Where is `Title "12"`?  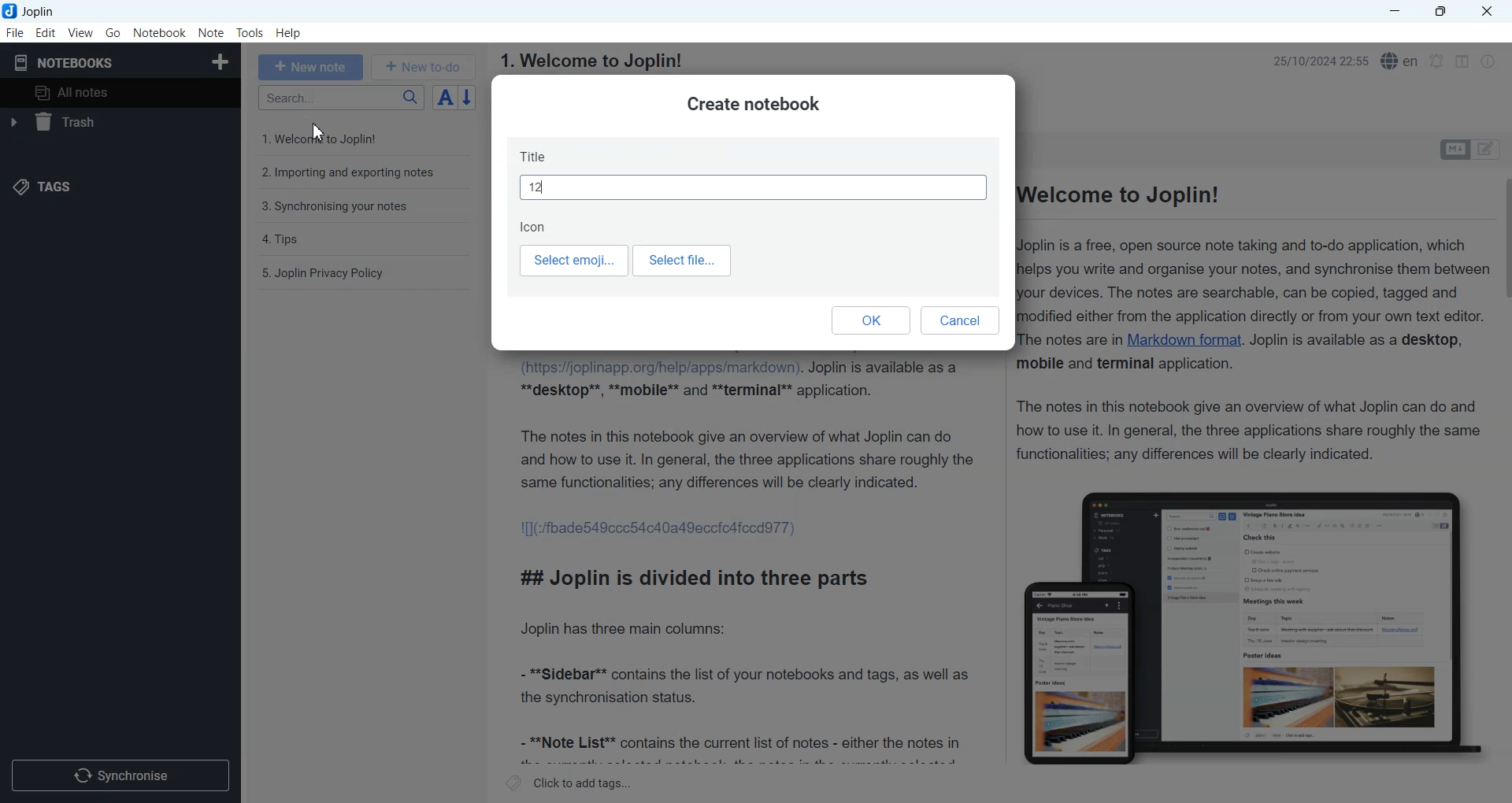 Title "12" is located at coordinates (537, 187).